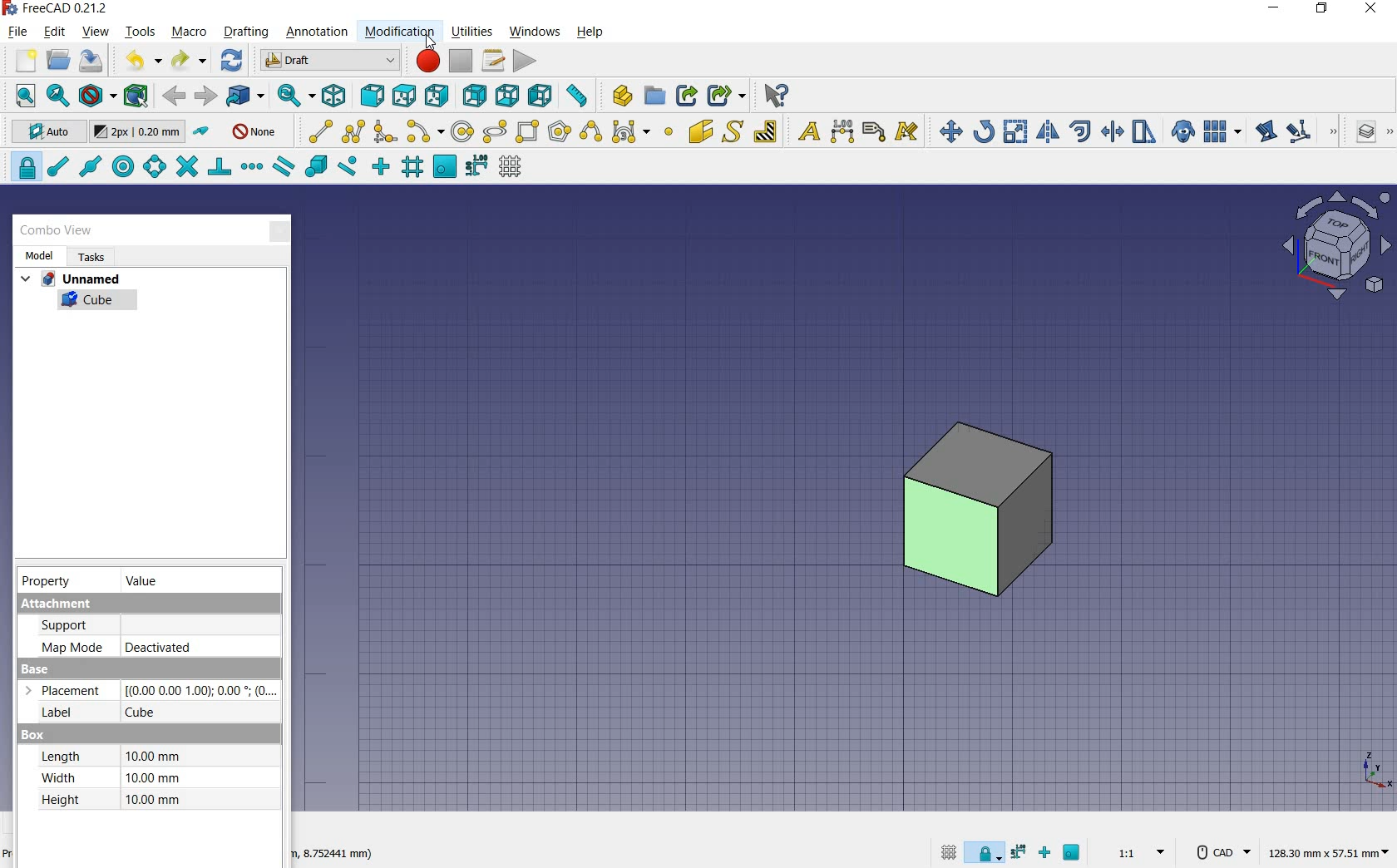  I want to click on cube, so click(146, 713).